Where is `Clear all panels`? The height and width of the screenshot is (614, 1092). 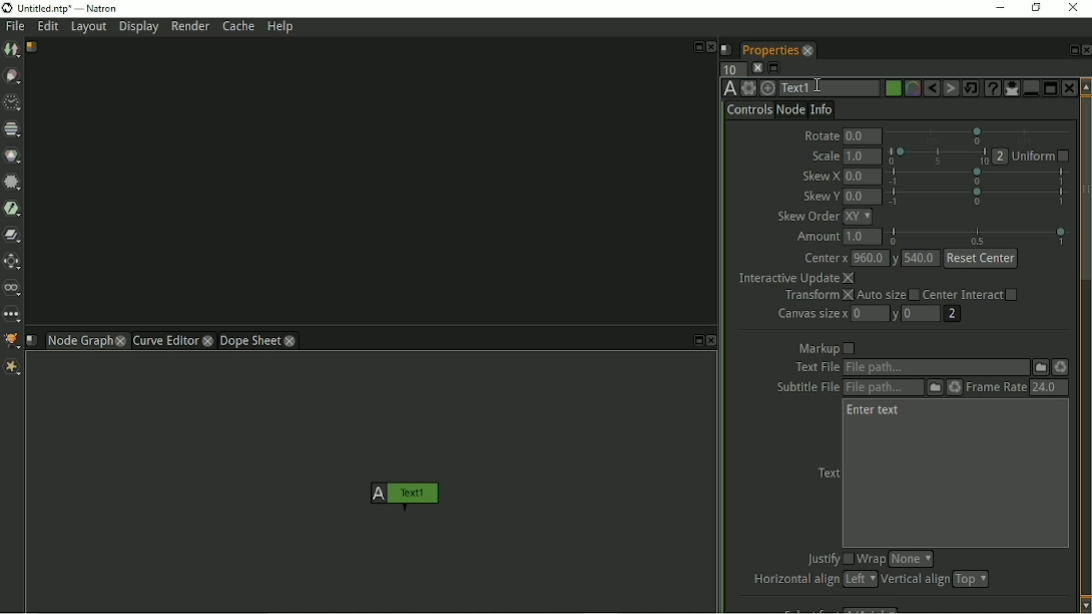
Clear all panels is located at coordinates (757, 67).